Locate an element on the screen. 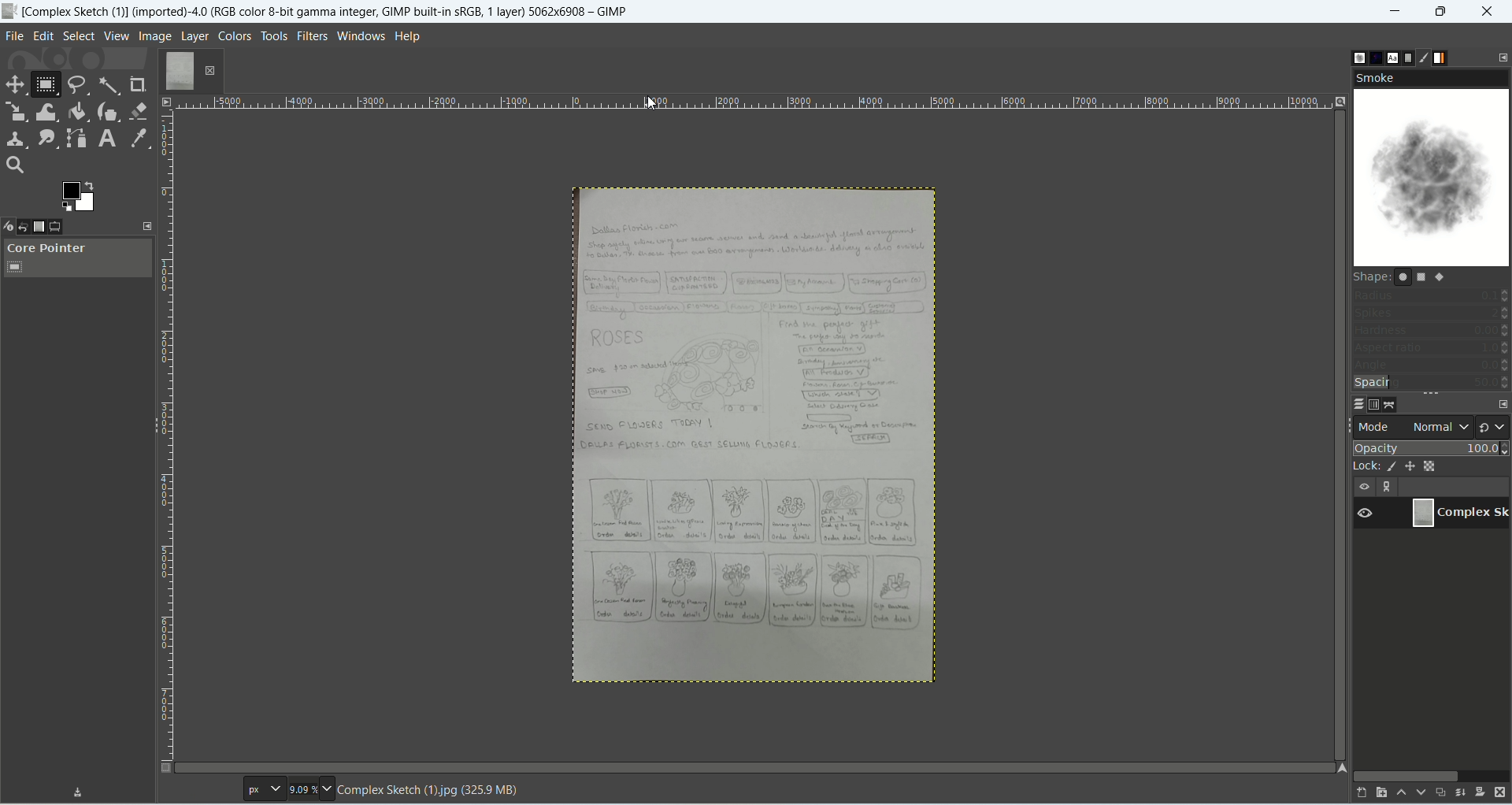 The image size is (1512, 805). close is located at coordinates (1491, 9).